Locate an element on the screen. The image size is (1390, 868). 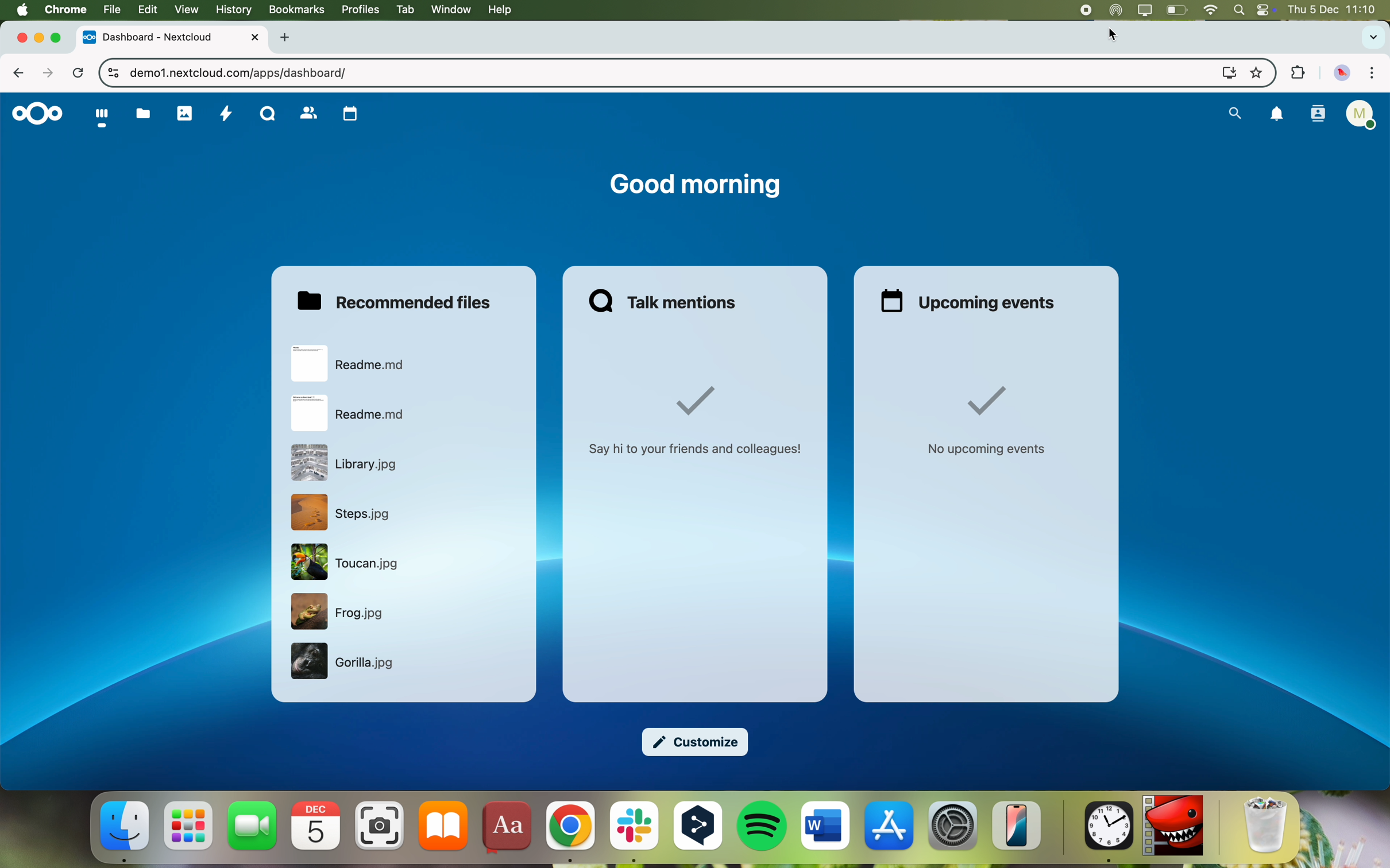
tab is located at coordinates (403, 10).